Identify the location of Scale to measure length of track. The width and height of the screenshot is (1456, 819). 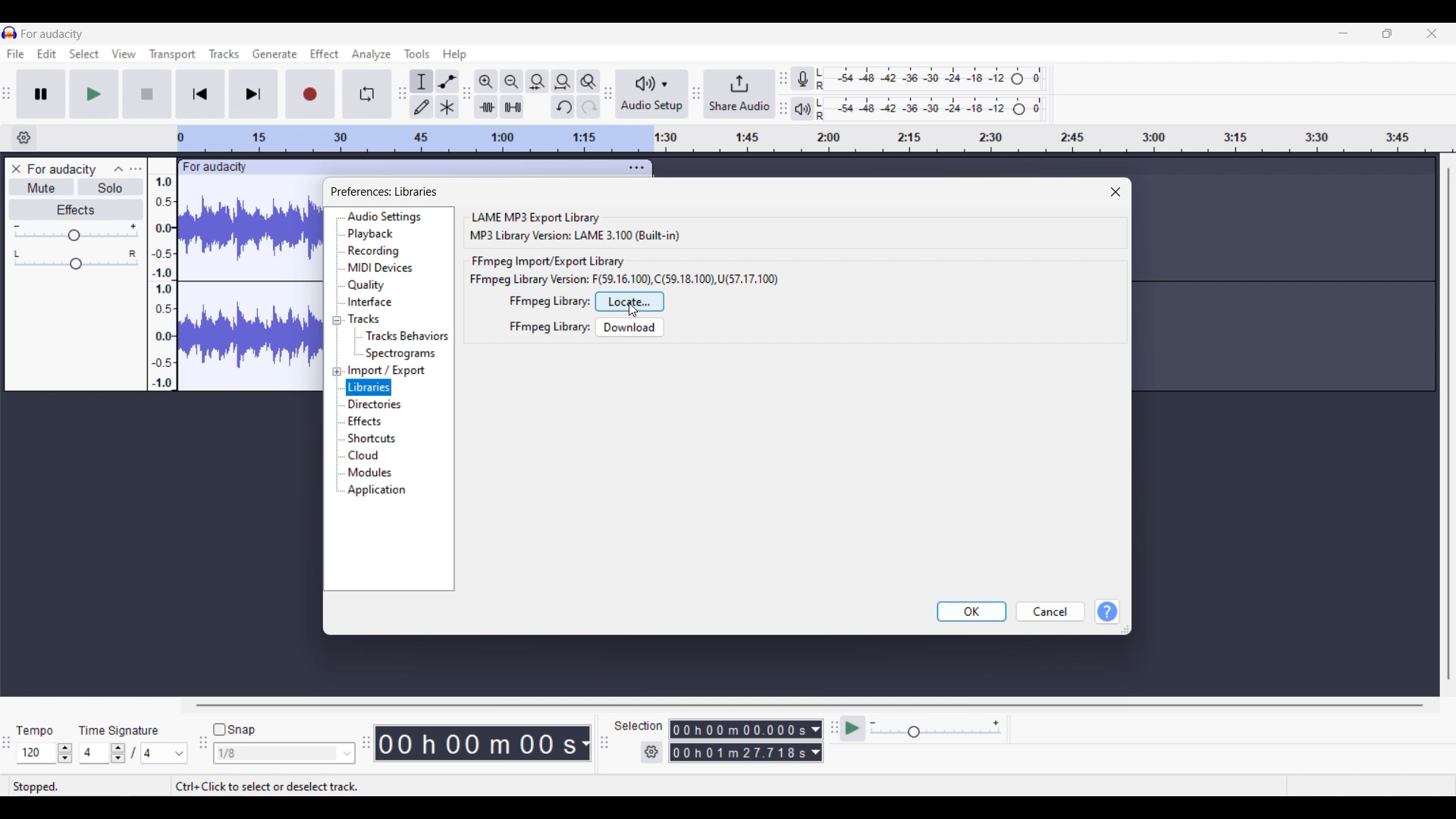
(814, 139).